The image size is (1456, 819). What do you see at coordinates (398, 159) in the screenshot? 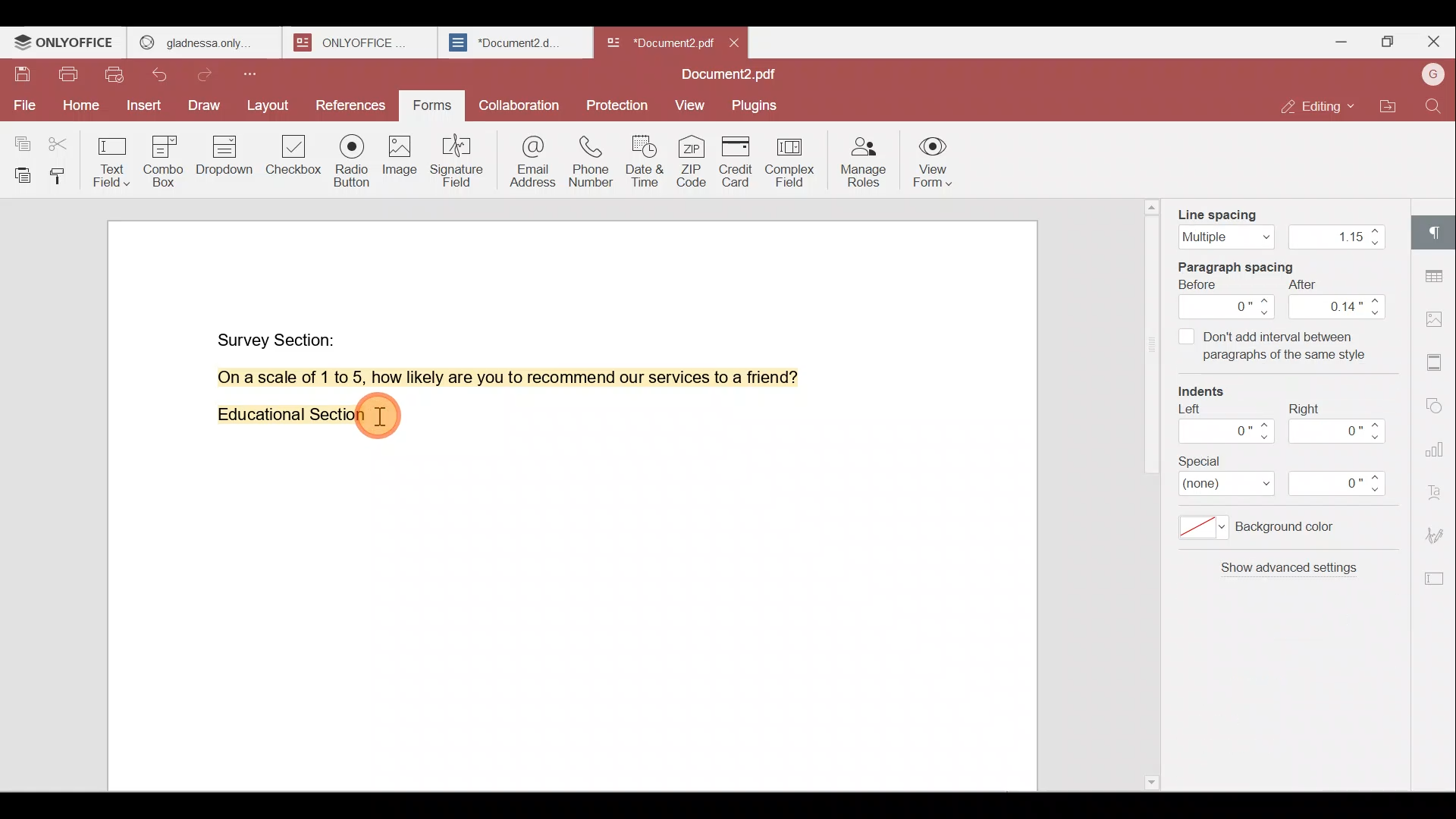
I see `Image` at bounding box center [398, 159].